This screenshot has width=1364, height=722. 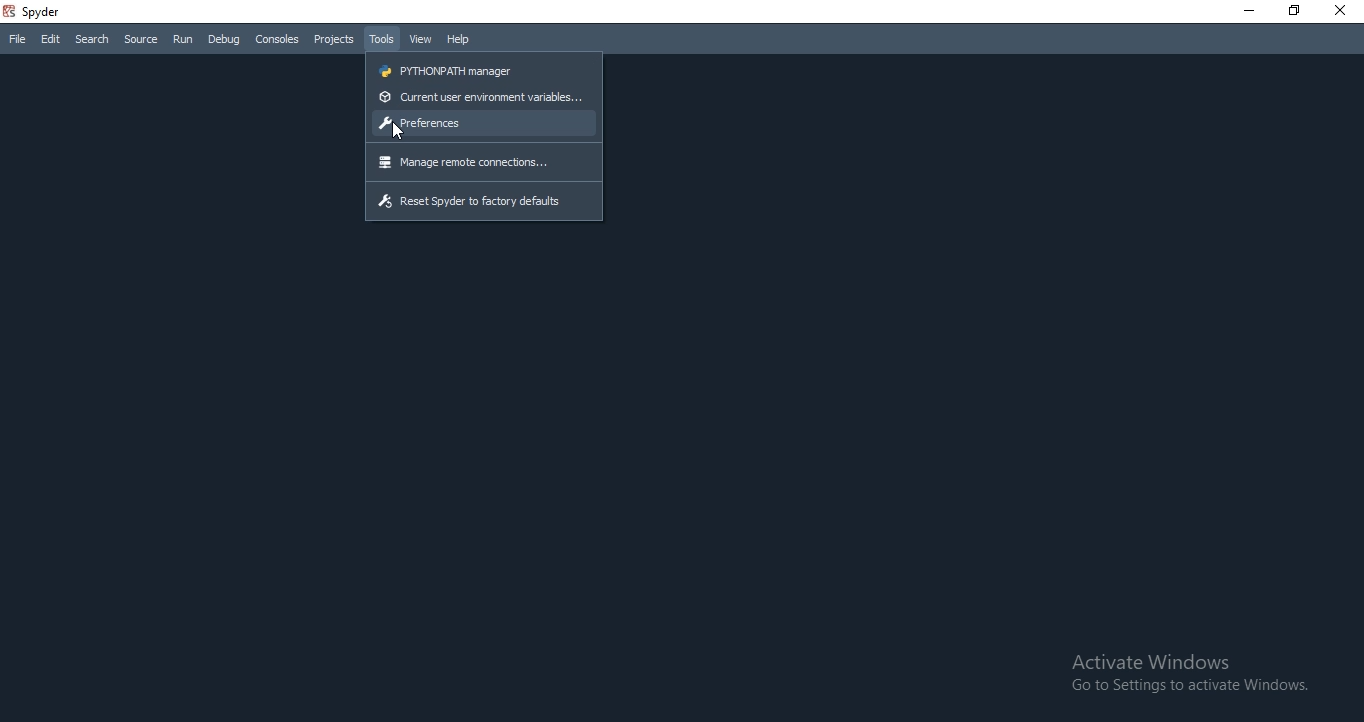 What do you see at coordinates (50, 40) in the screenshot?
I see `Edit` at bounding box center [50, 40].